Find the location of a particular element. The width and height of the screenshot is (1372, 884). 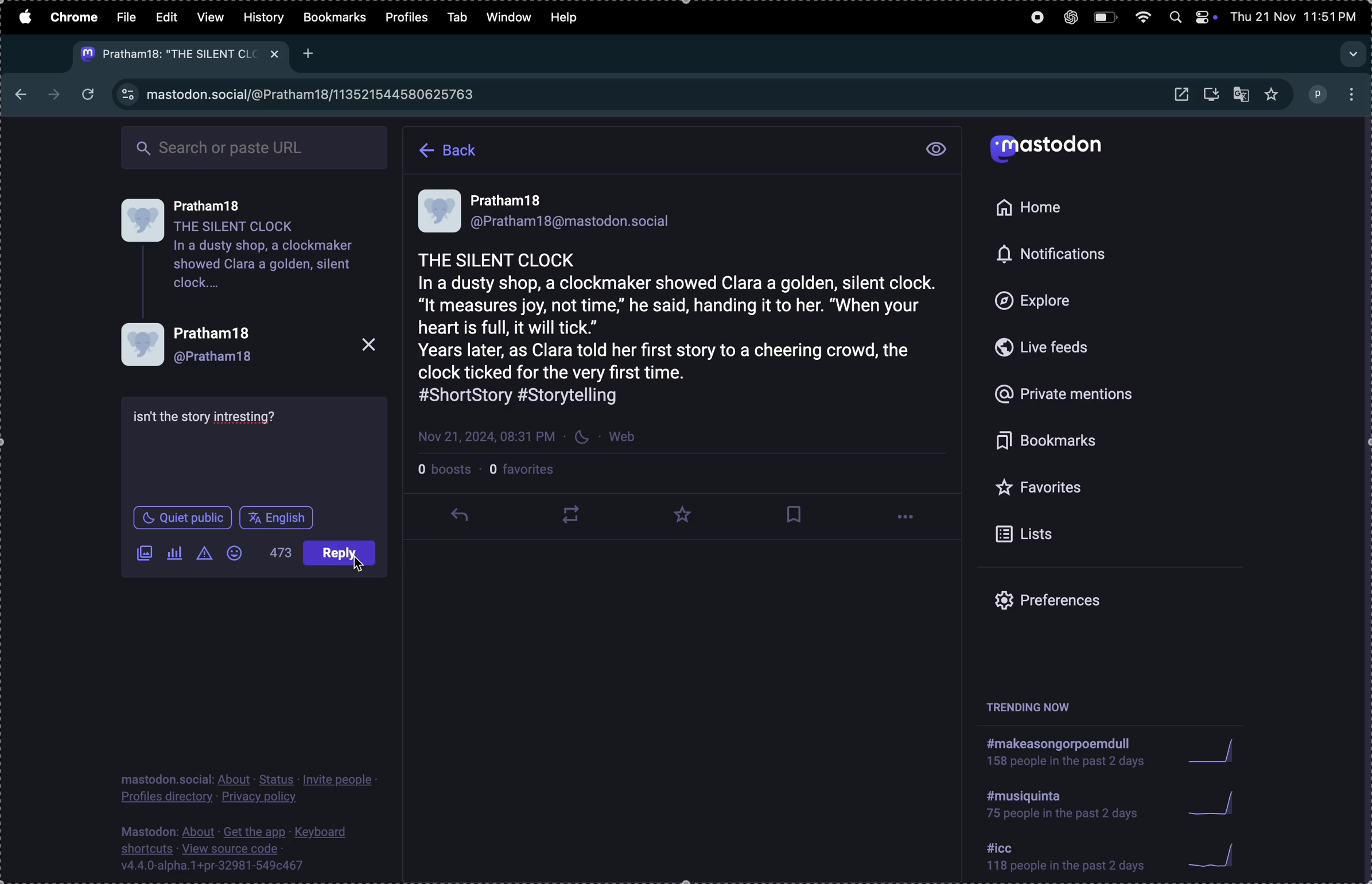

add image is located at coordinates (145, 555).